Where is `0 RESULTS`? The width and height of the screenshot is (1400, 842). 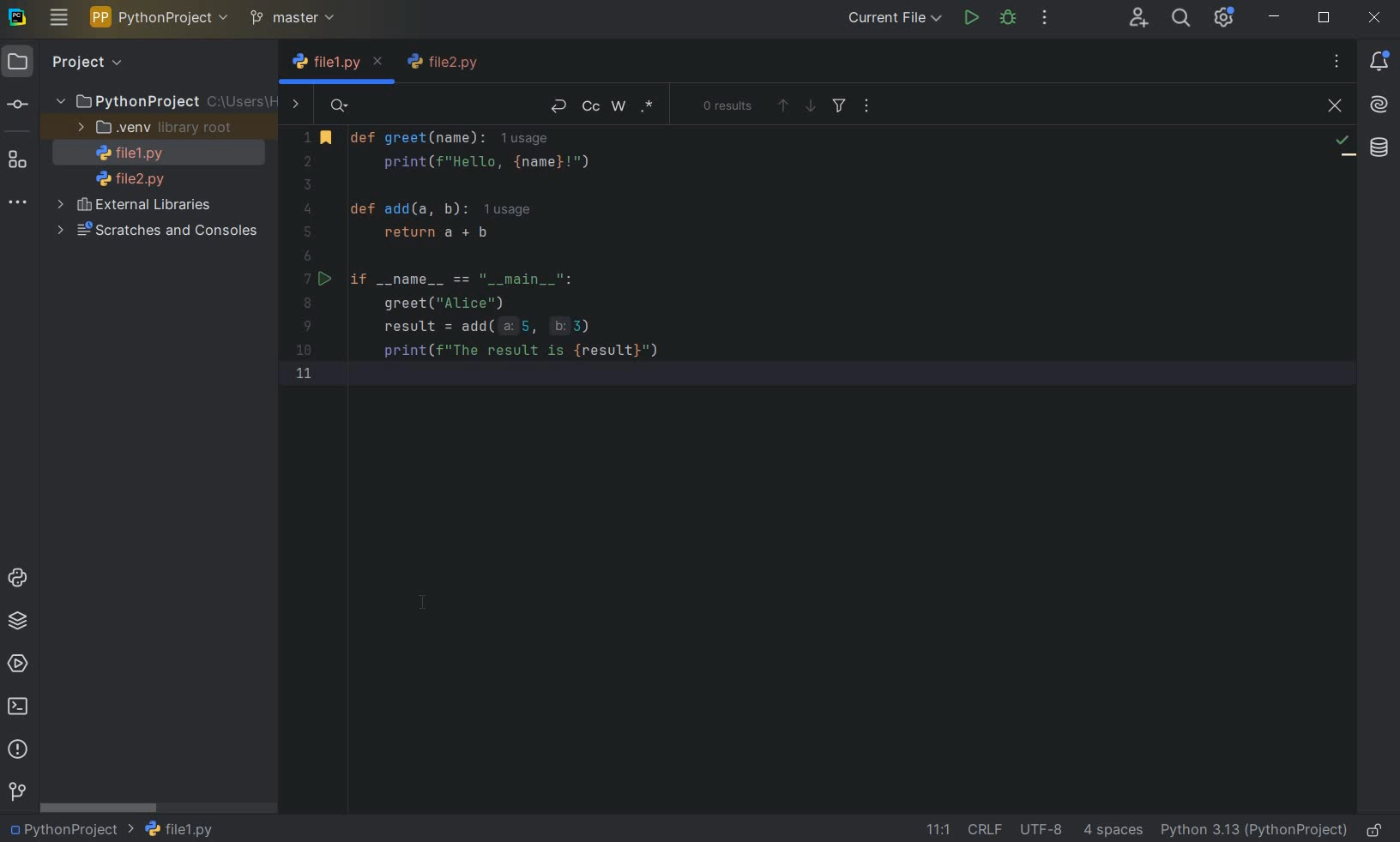 0 RESULTS is located at coordinates (728, 105).